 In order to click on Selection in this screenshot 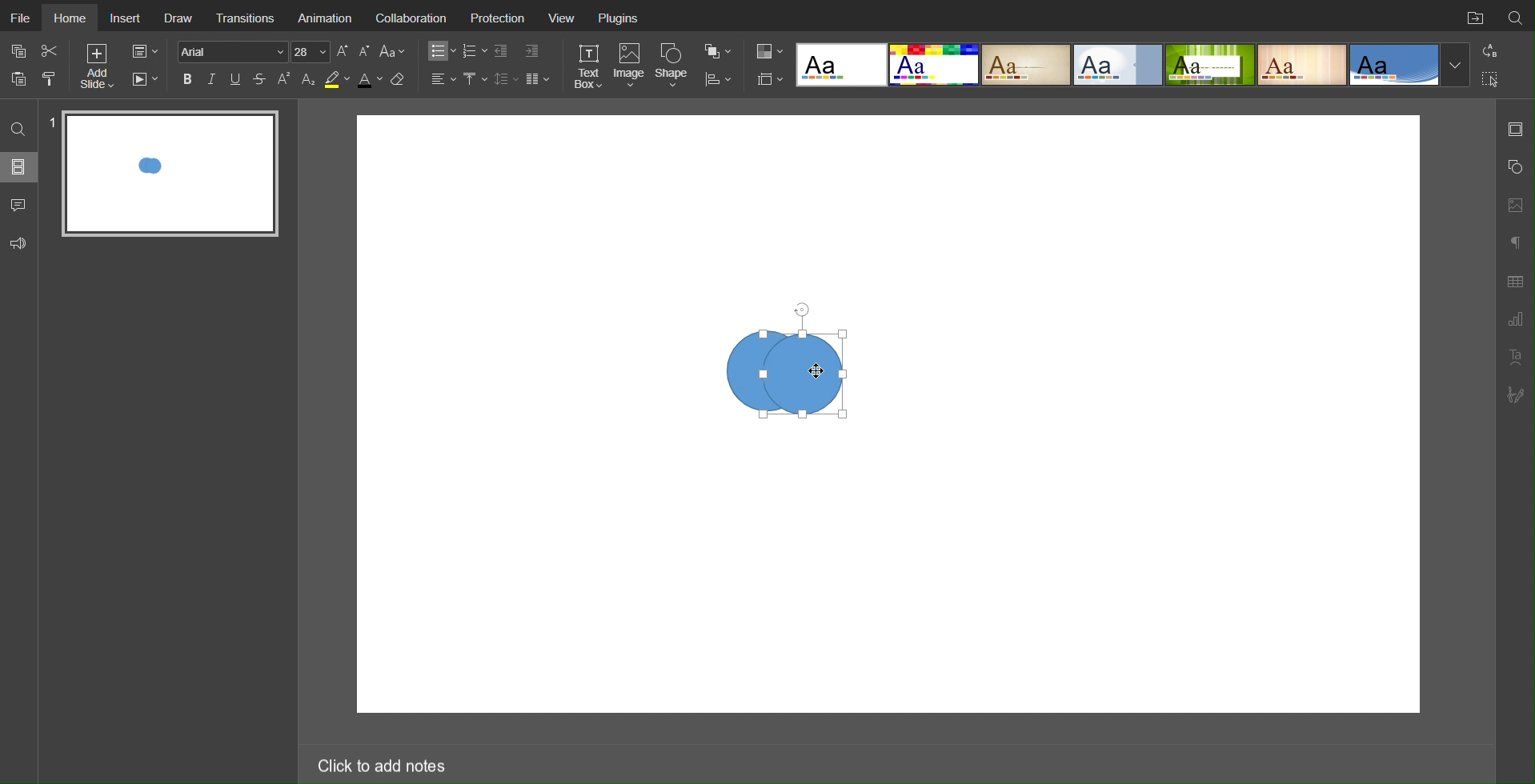, I will do `click(1491, 78)`.